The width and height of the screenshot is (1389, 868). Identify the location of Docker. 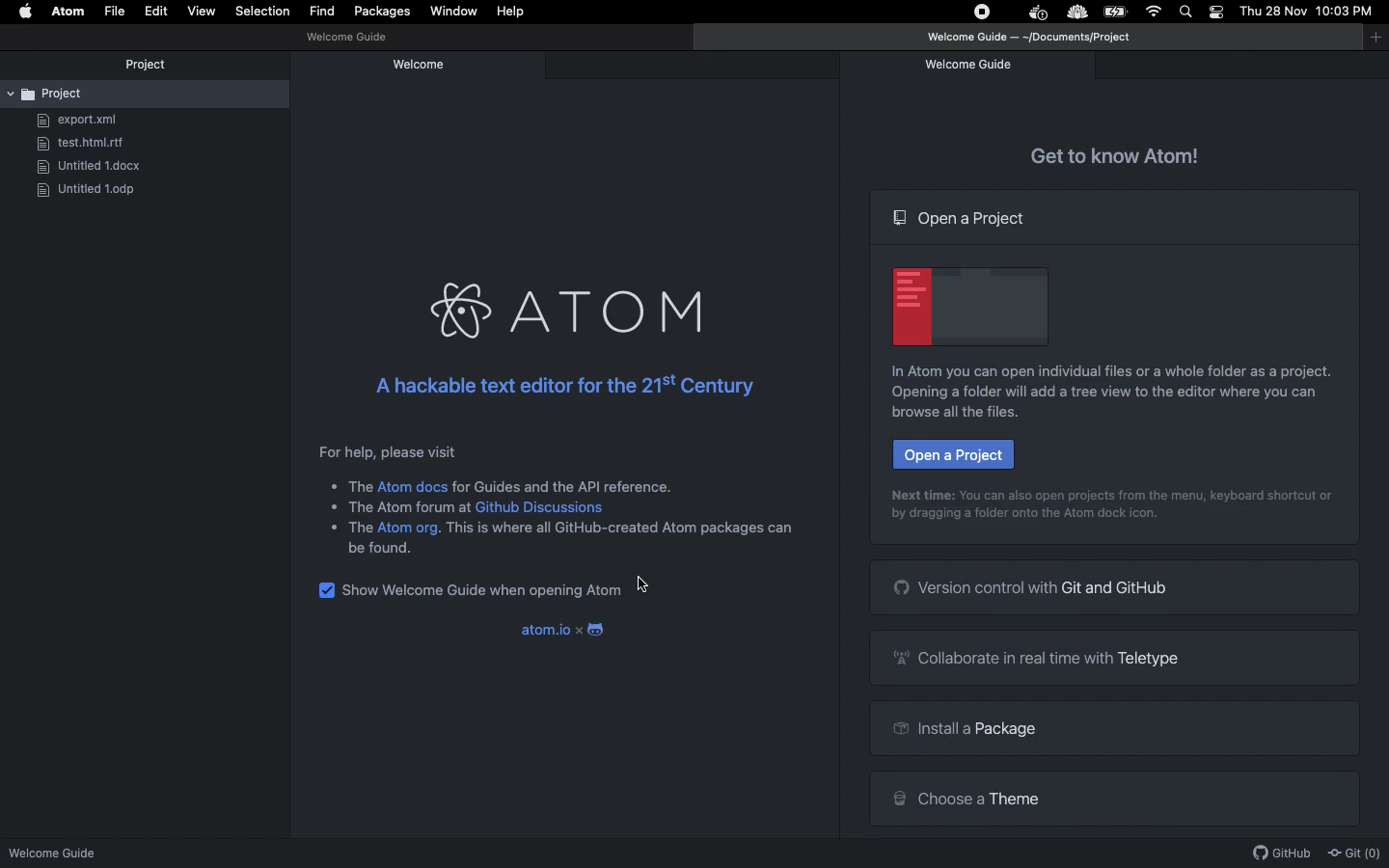
(1036, 14).